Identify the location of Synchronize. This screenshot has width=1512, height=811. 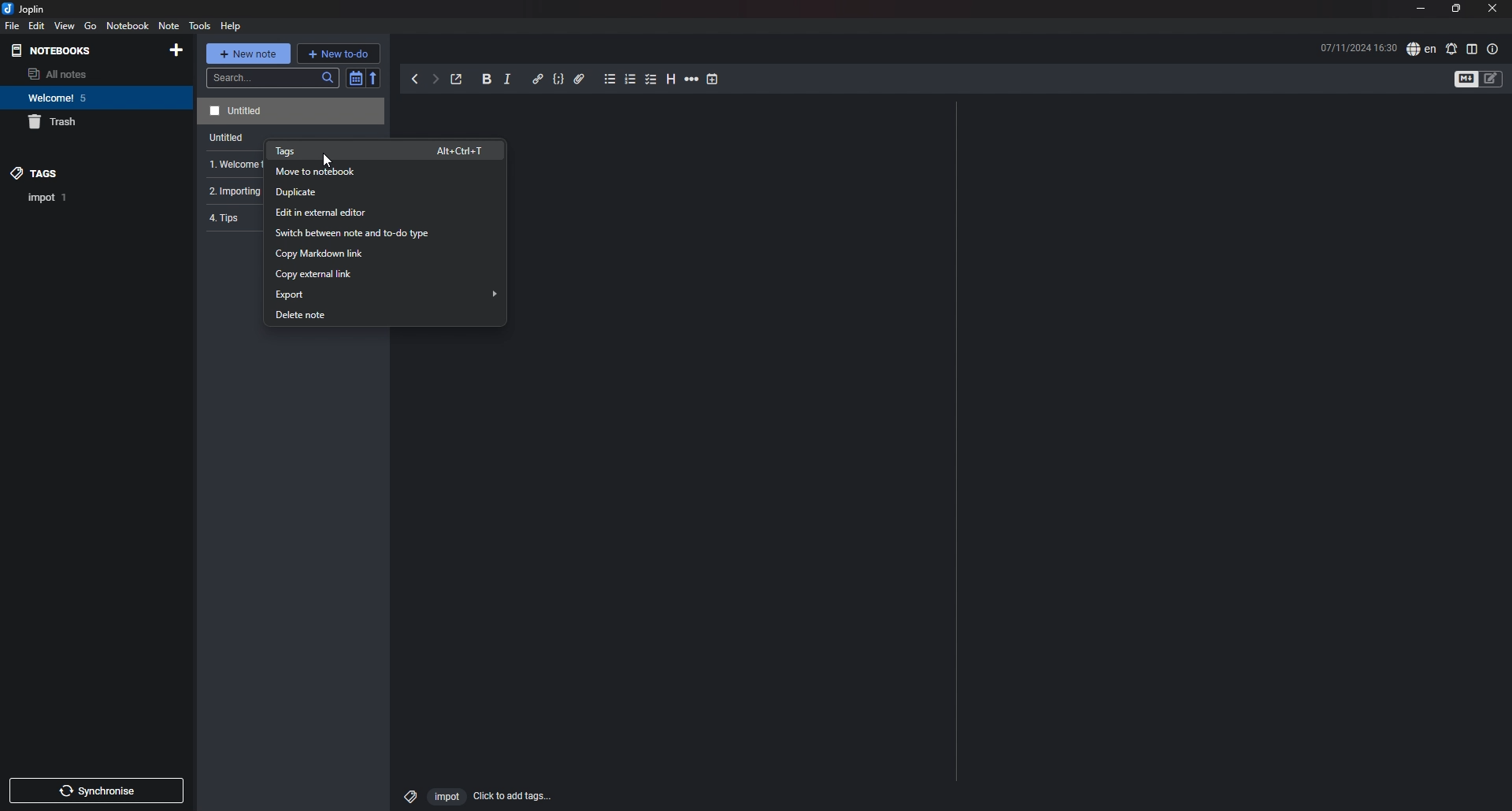
(99, 793).